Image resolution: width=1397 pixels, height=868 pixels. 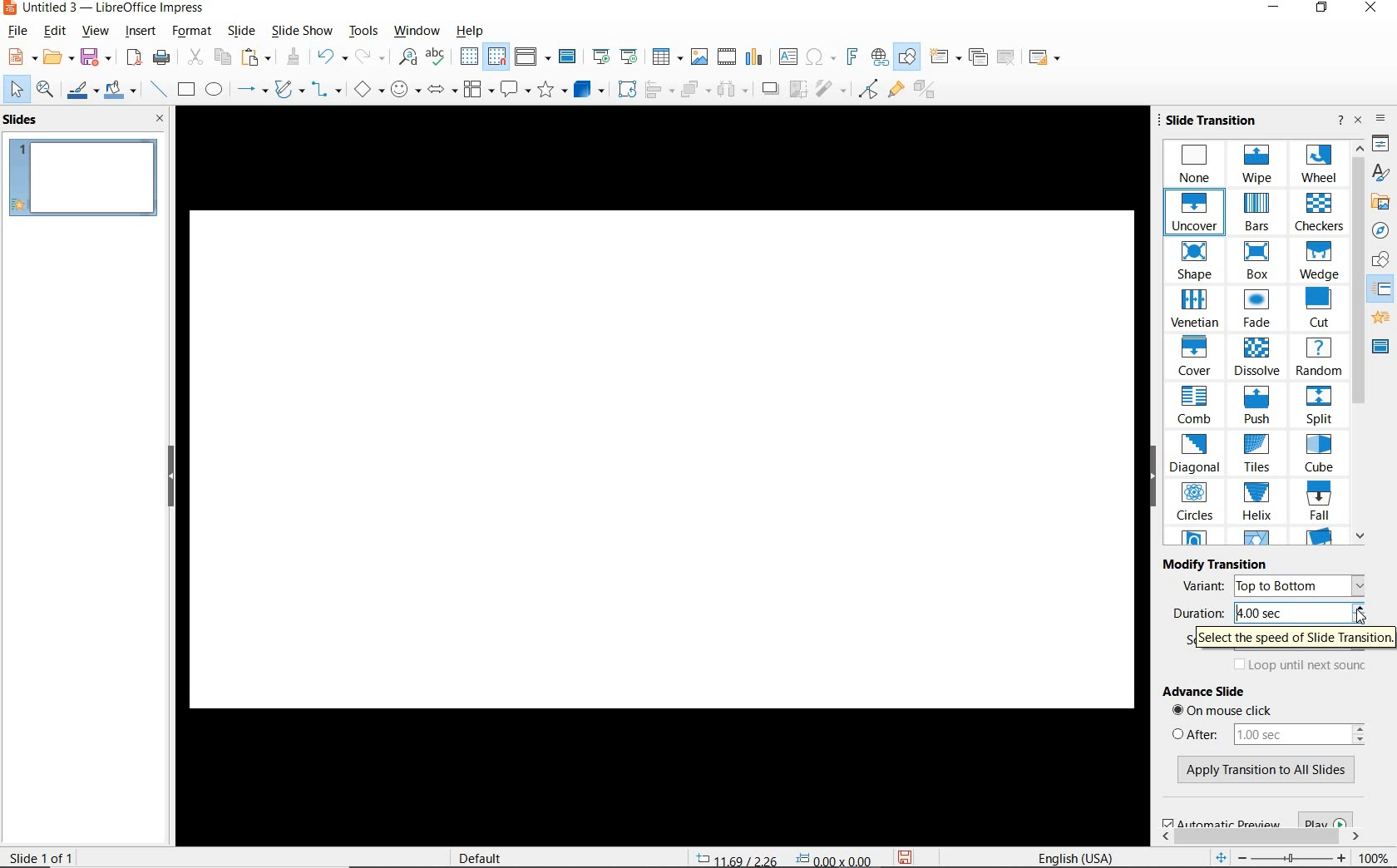 What do you see at coordinates (1382, 144) in the screenshot?
I see `PROPERTIES` at bounding box center [1382, 144].